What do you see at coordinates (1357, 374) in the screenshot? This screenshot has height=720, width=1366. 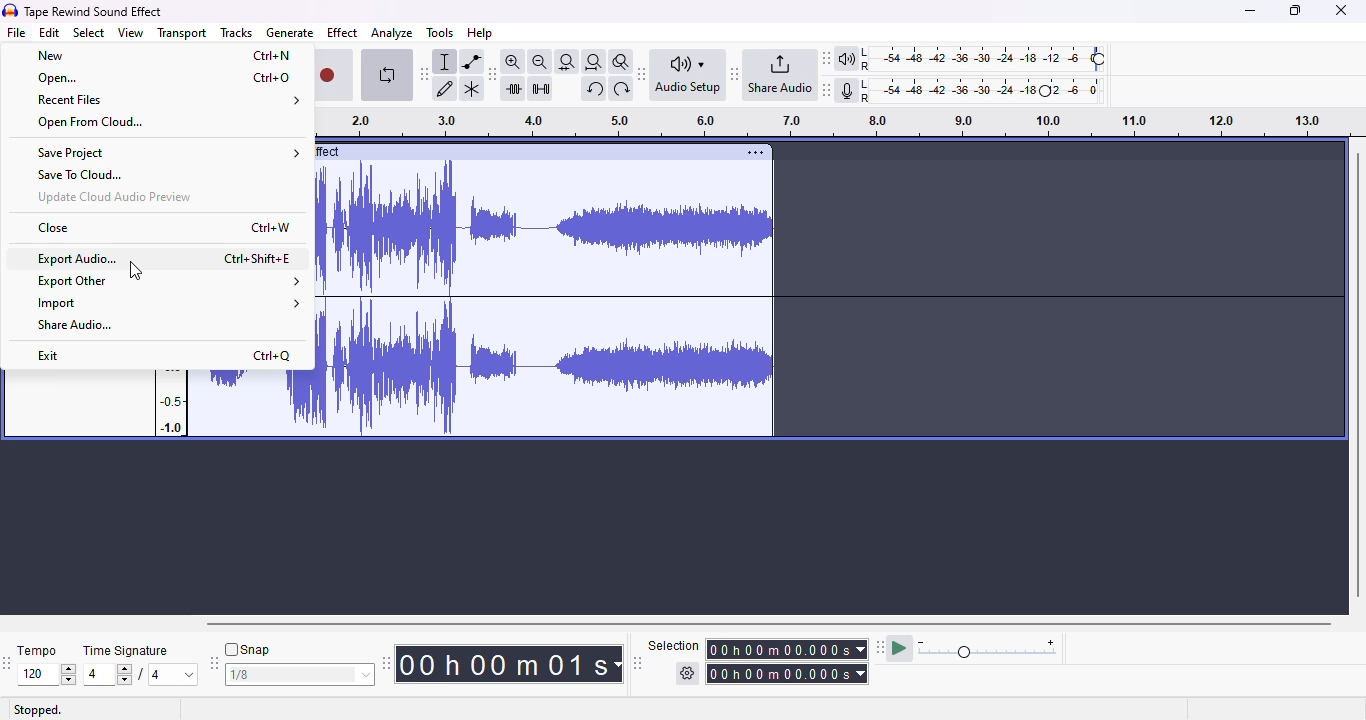 I see `vertical scrollbar` at bounding box center [1357, 374].